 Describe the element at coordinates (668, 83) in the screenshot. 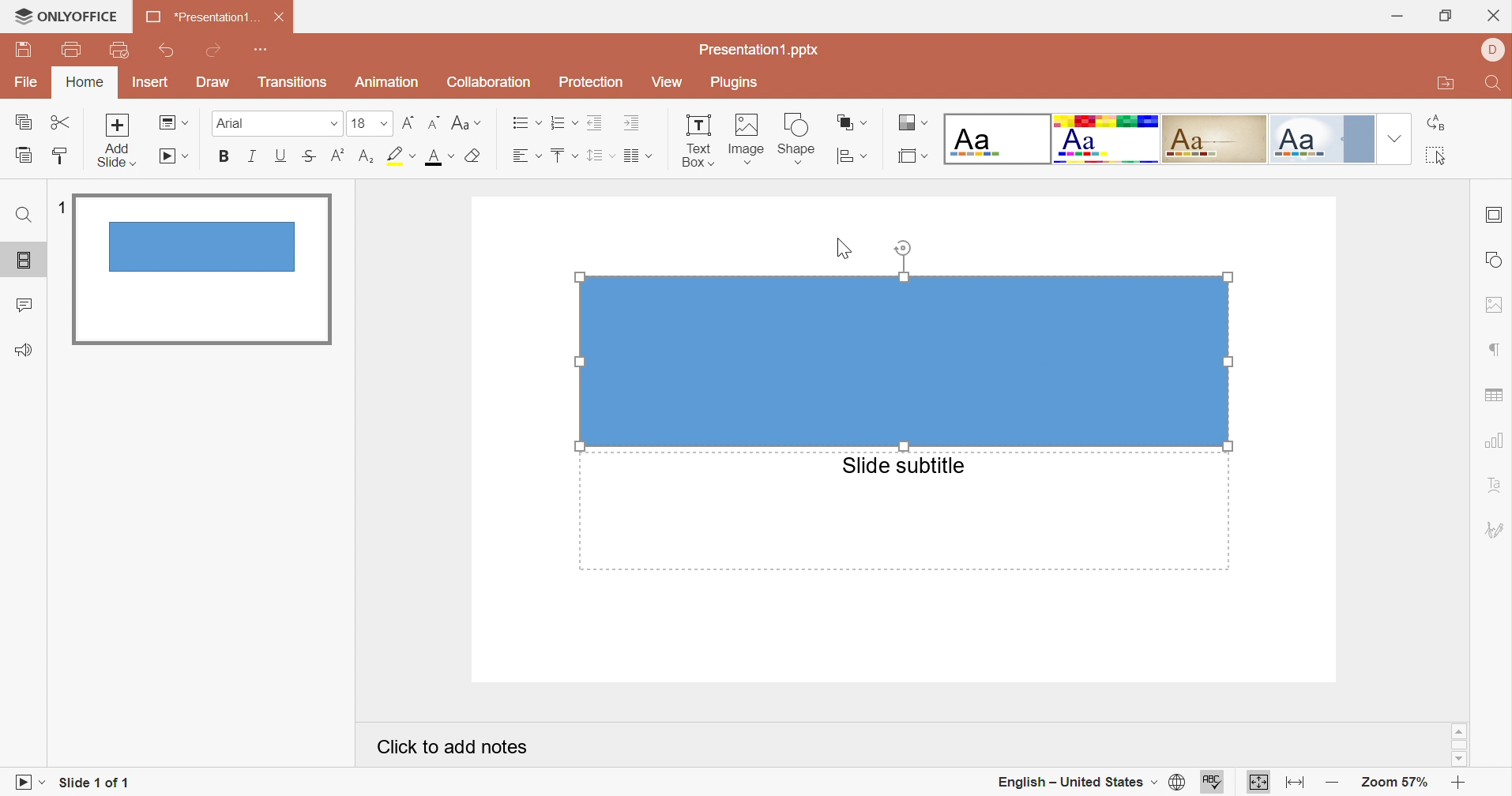

I see `View` at that location.